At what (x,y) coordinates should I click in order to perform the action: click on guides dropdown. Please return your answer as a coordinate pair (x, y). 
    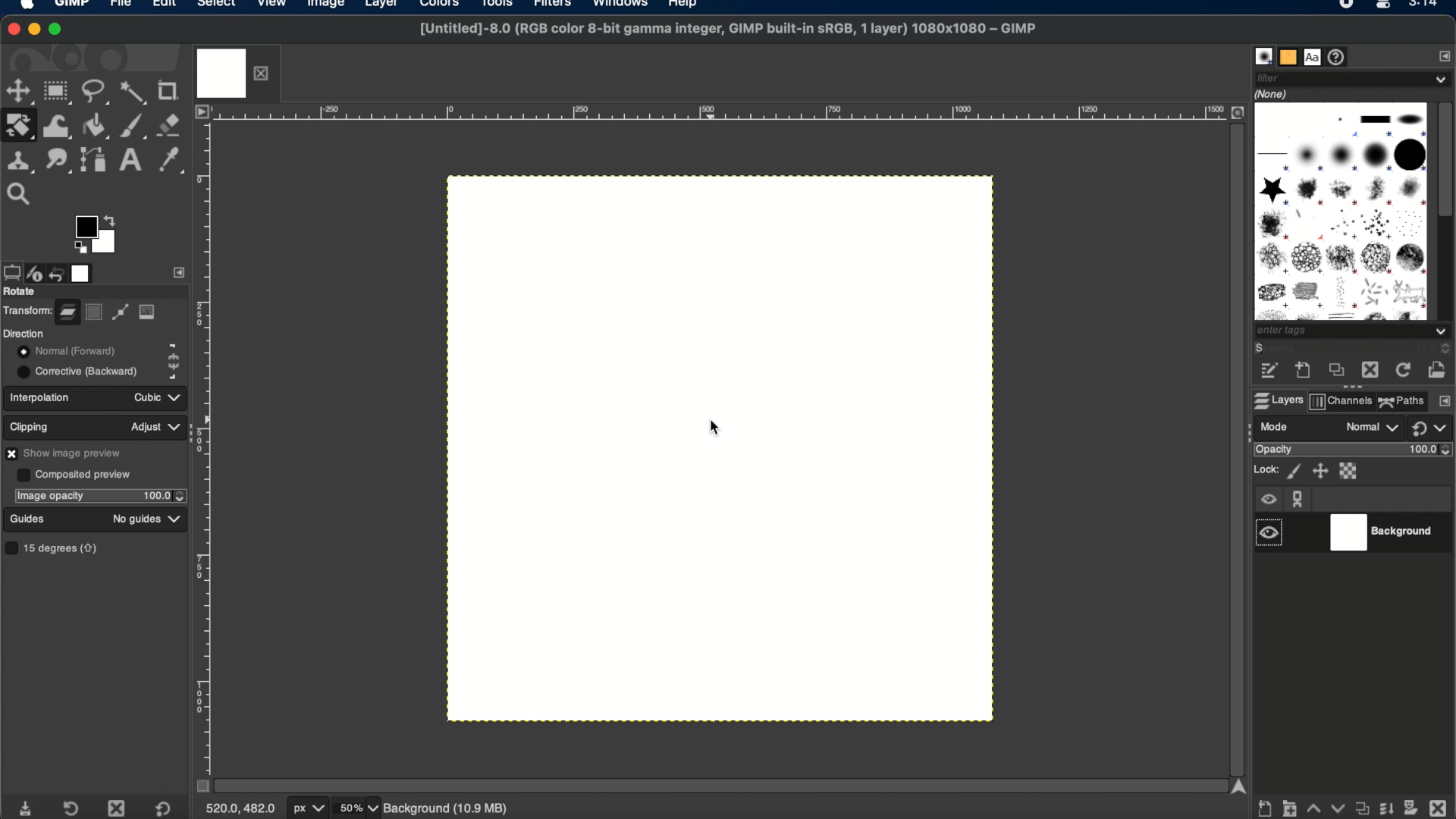
    Looking at the image, I should click on (176, 519).